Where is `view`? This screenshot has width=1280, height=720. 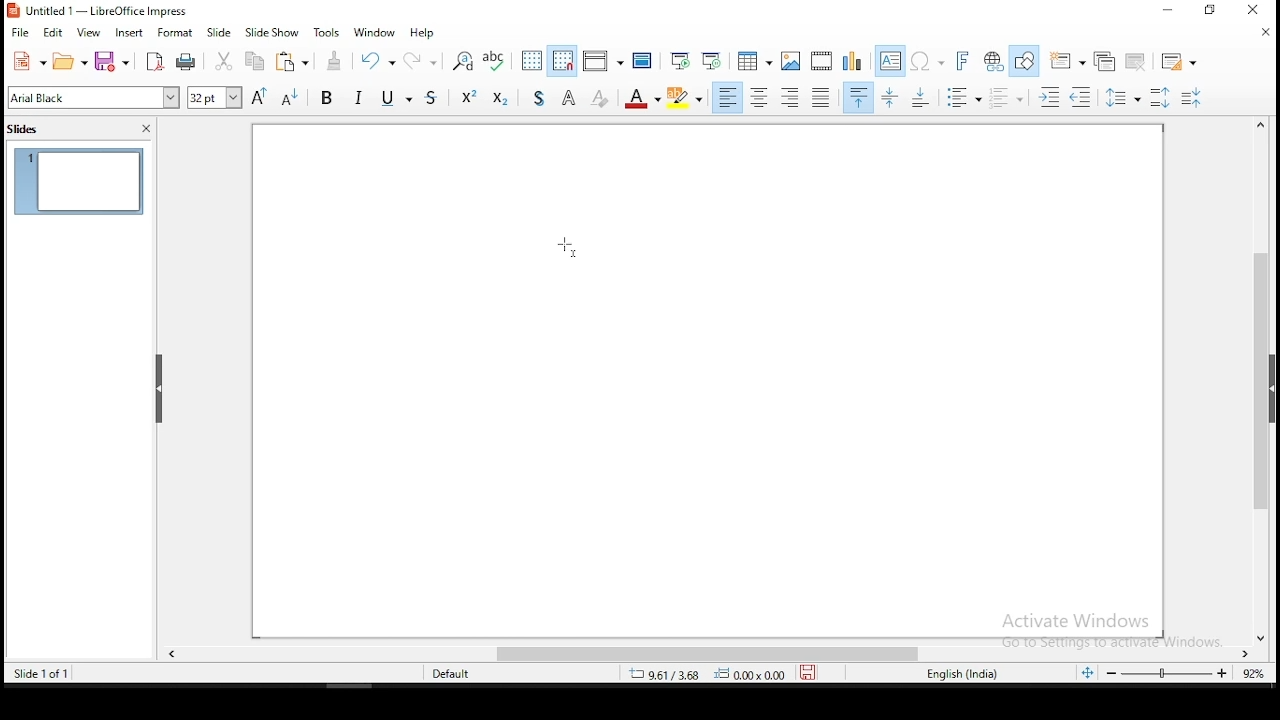 view is located at coordinates (90, 34).